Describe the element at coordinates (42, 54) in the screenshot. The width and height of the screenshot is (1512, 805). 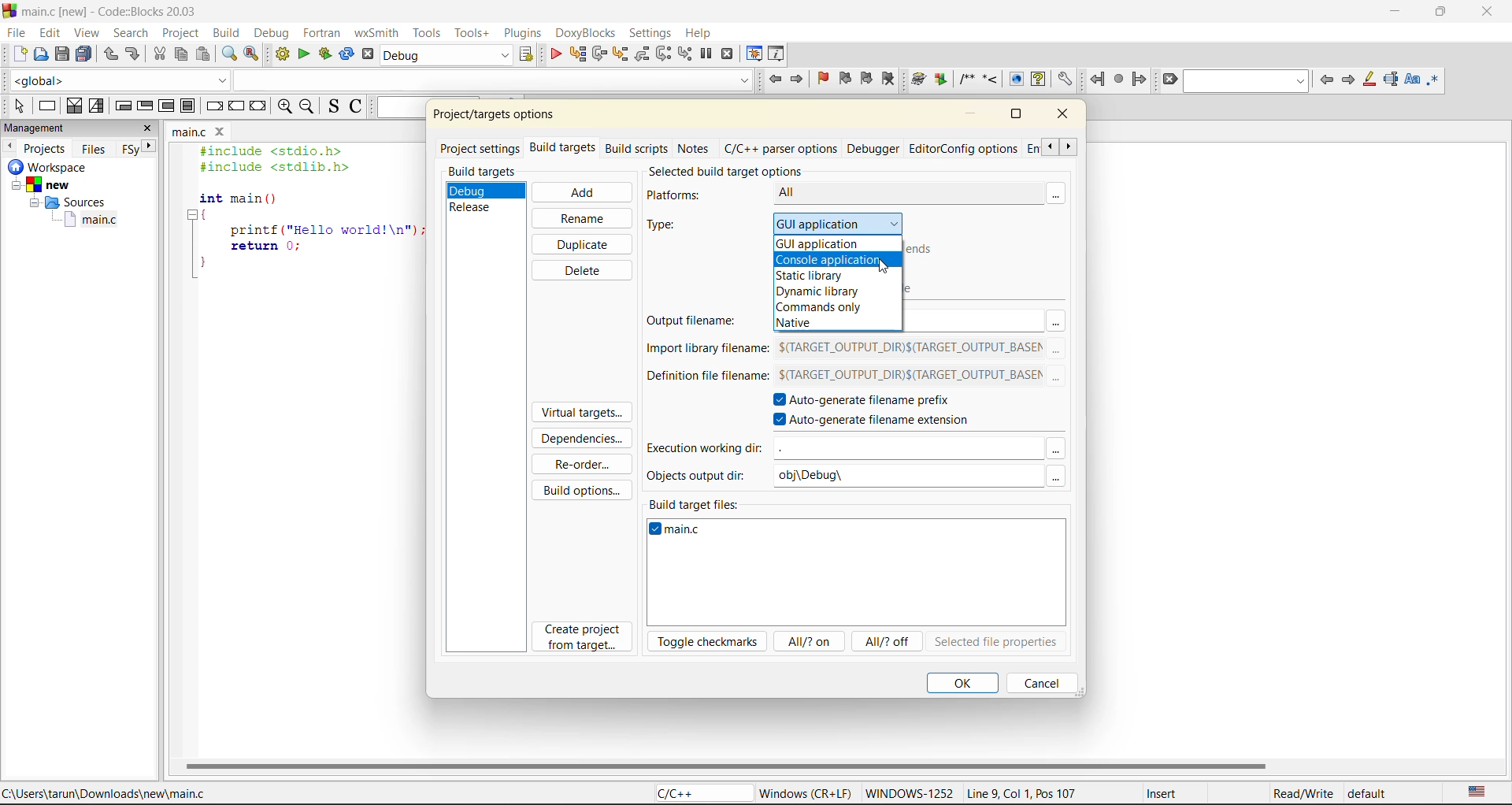
I see `open` at that location.